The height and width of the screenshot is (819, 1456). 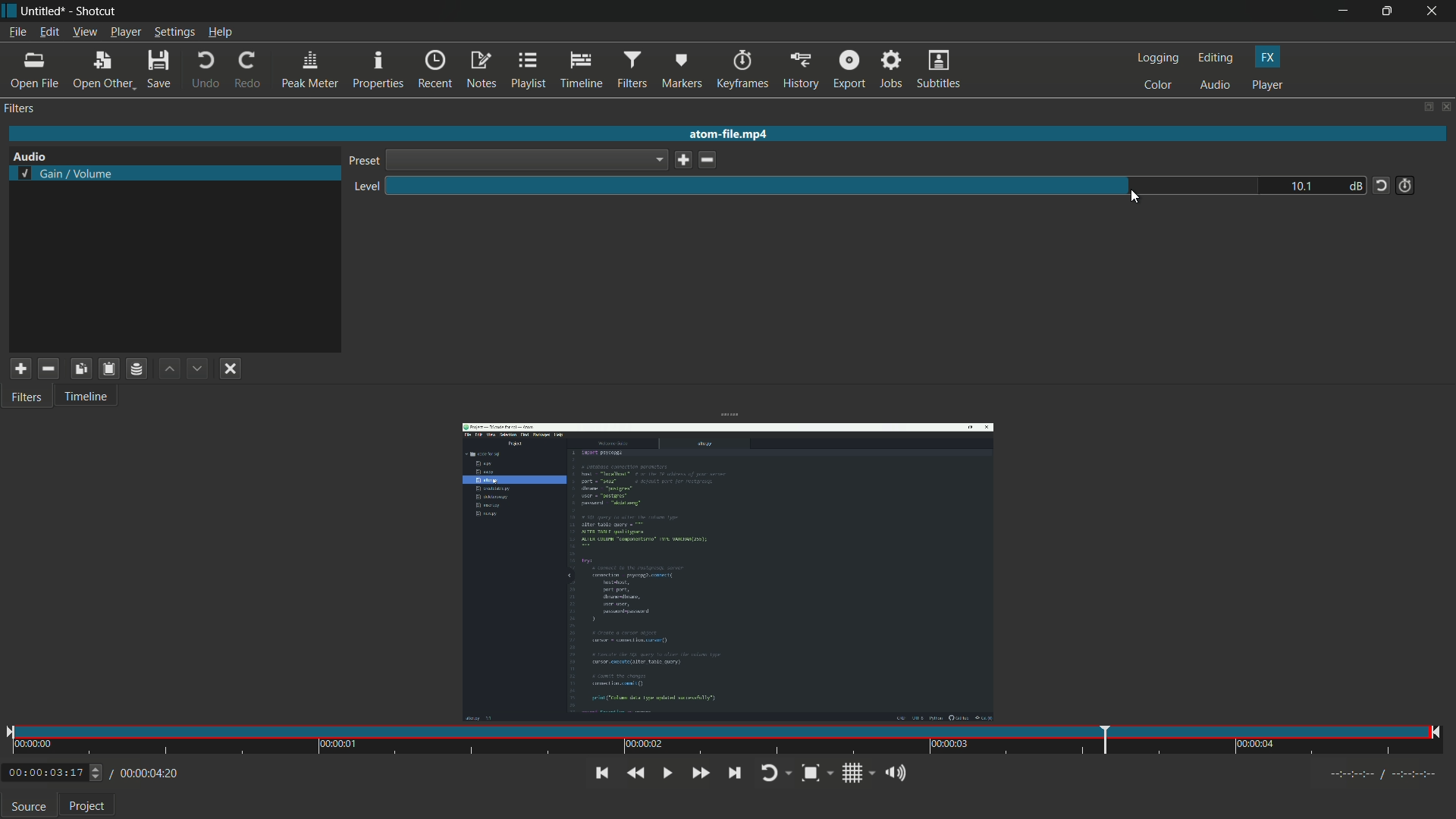 I want to click on deselect filter, so click(x=231, y=369).